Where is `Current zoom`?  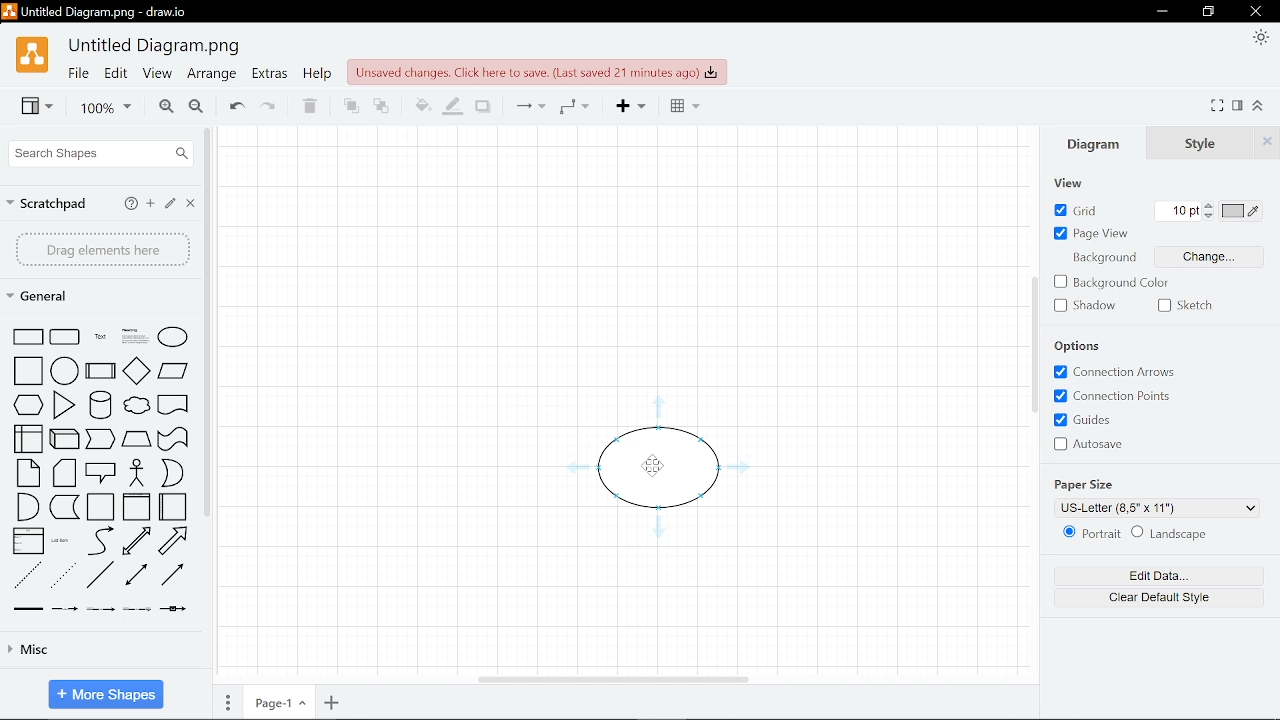 Current zoom is located at coordinates (101, 108).